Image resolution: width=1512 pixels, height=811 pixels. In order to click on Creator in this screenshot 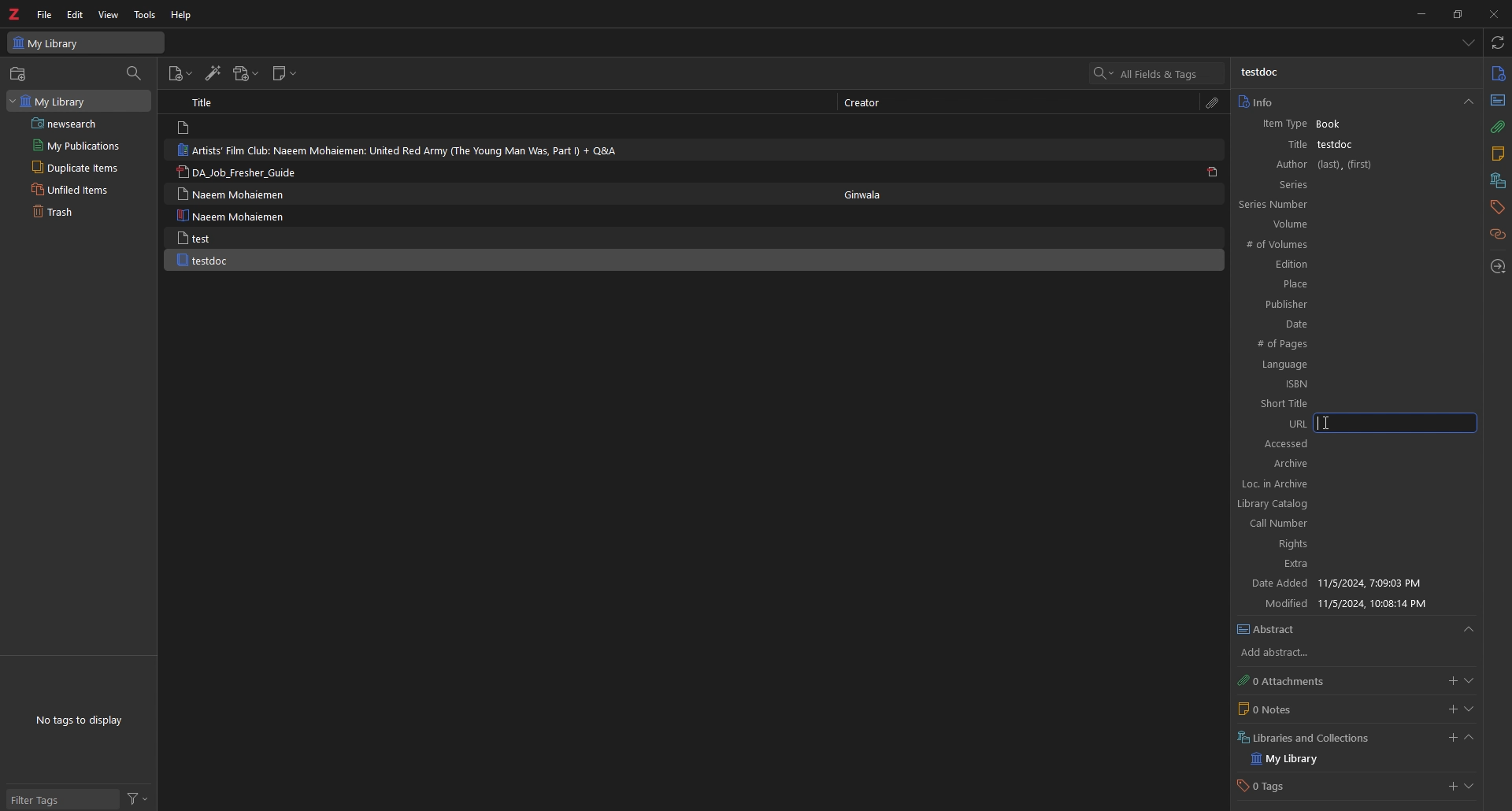, I will do `click(869, 102)`.